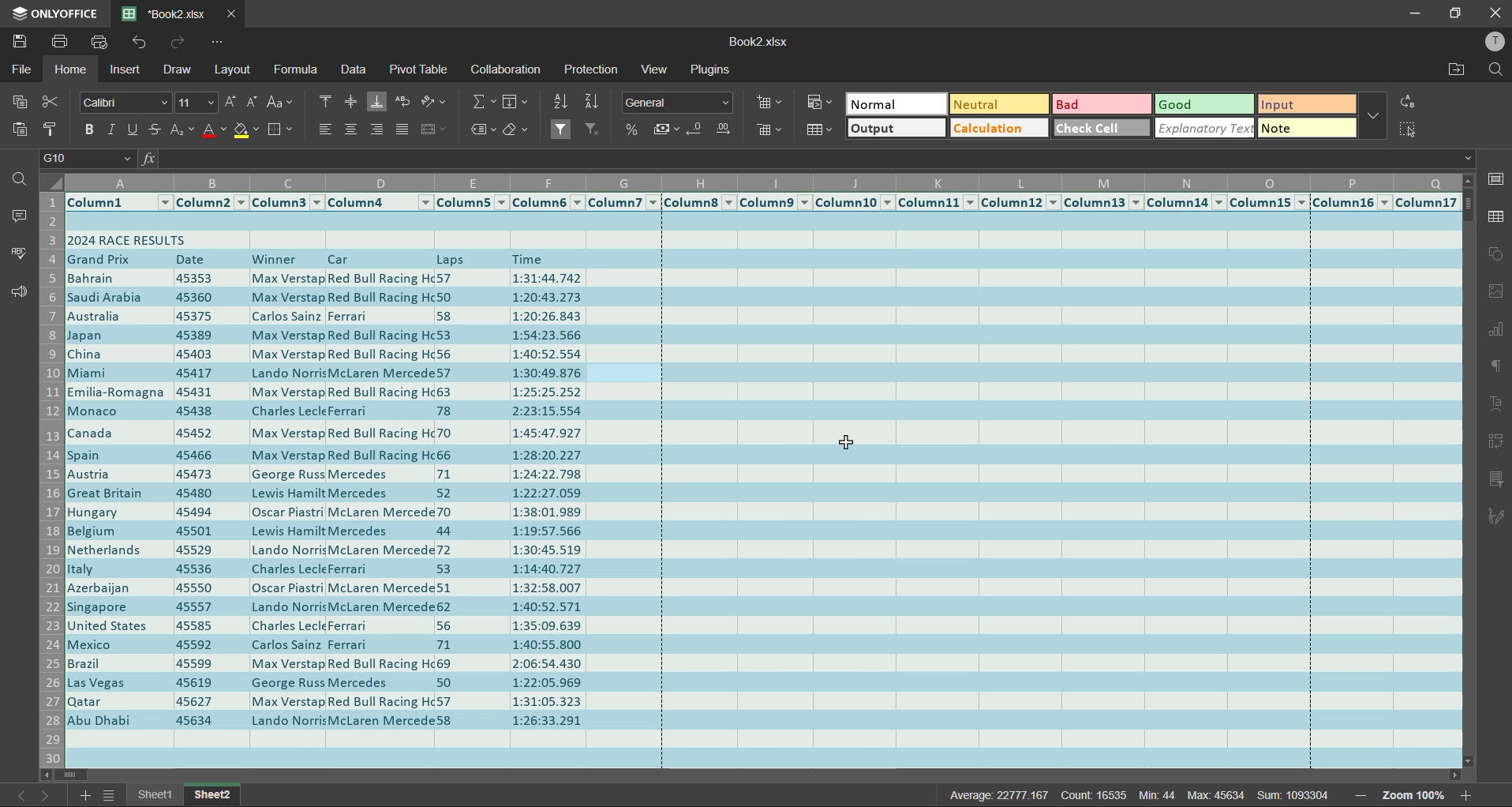 This screenshot has height=807, width=1512. What do you see at coordinates (1361, 795) in the screenshot?
I see `zoom out` at bounding box center [1361, 795].